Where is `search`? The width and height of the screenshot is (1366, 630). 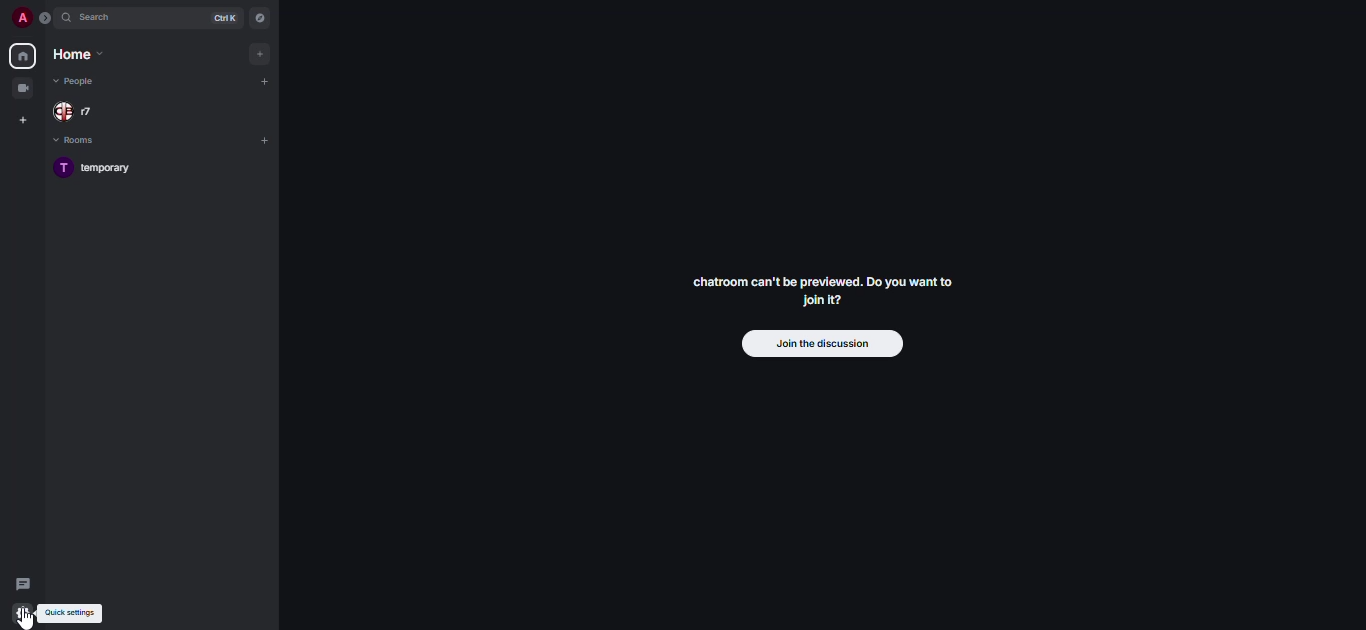 search is located at coordinates (100, 19).